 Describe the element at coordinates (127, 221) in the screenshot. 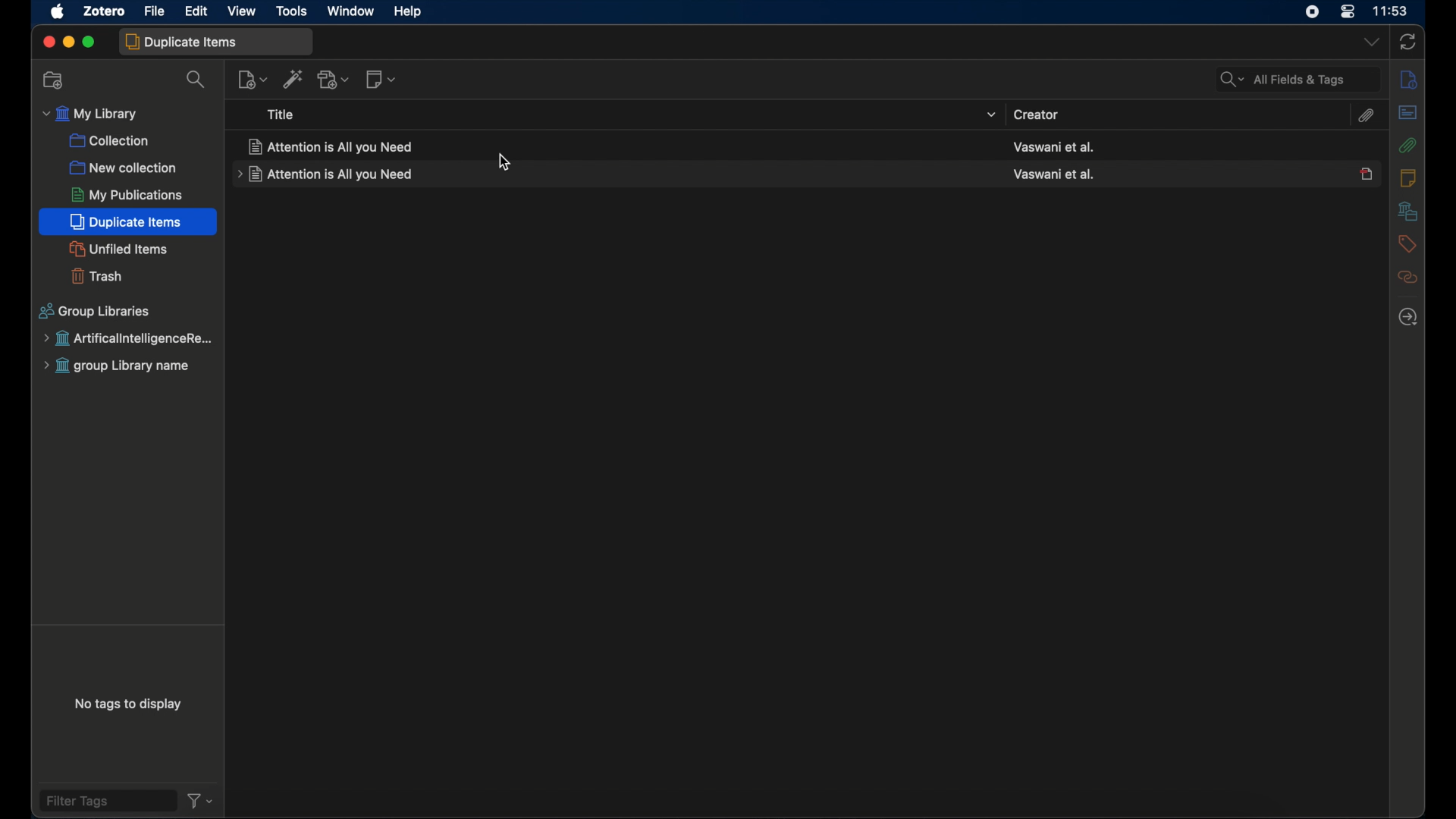

I see `duplicate items` at that location.